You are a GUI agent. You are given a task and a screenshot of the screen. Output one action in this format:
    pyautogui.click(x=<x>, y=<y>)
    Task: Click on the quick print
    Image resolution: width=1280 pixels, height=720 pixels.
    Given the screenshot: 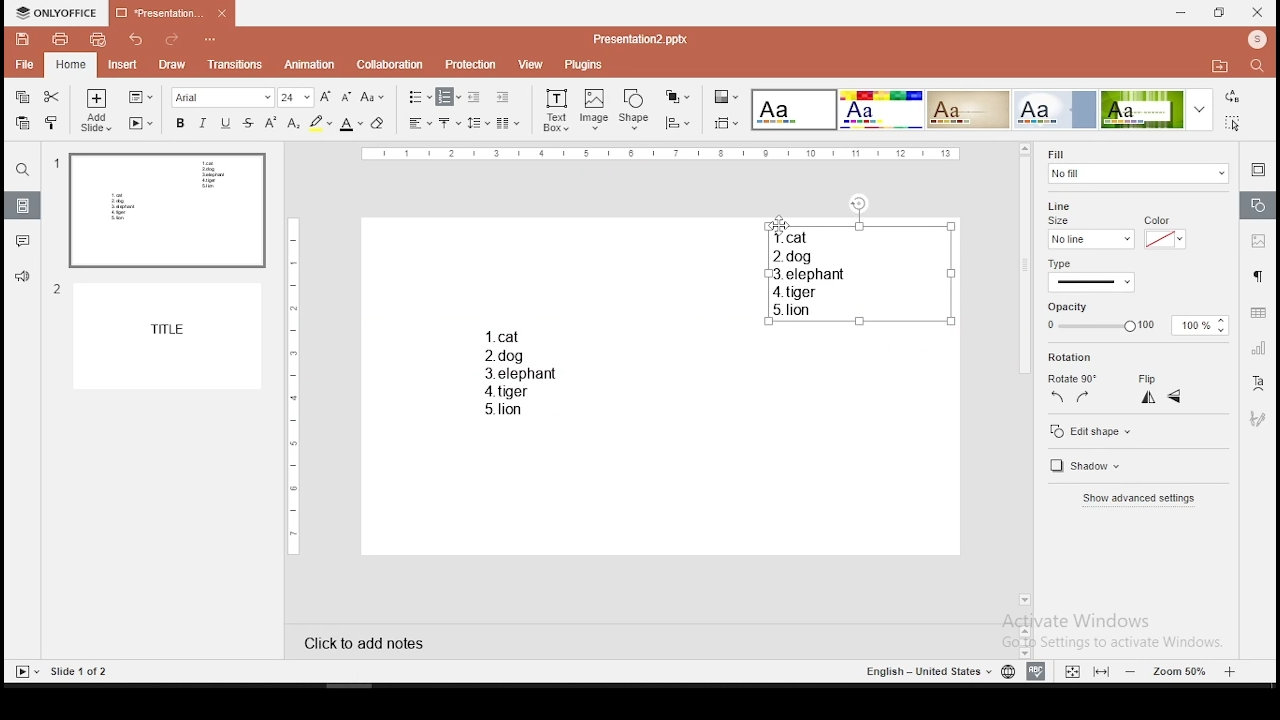 What is the action you would take?
    pyautogui.click(x=97, y=39)
    